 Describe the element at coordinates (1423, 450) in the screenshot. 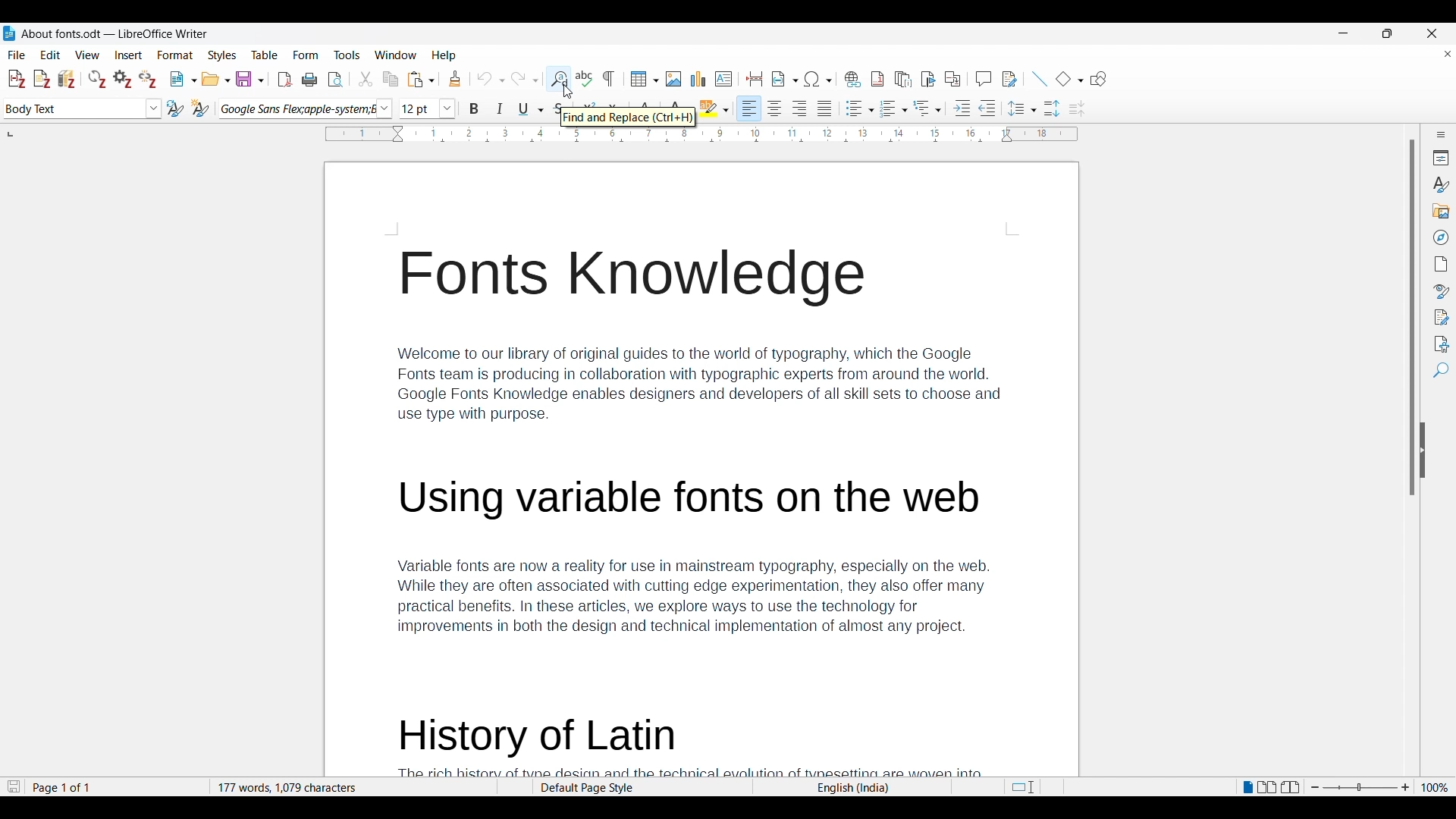

I see `Hide right sidebar` at that location.